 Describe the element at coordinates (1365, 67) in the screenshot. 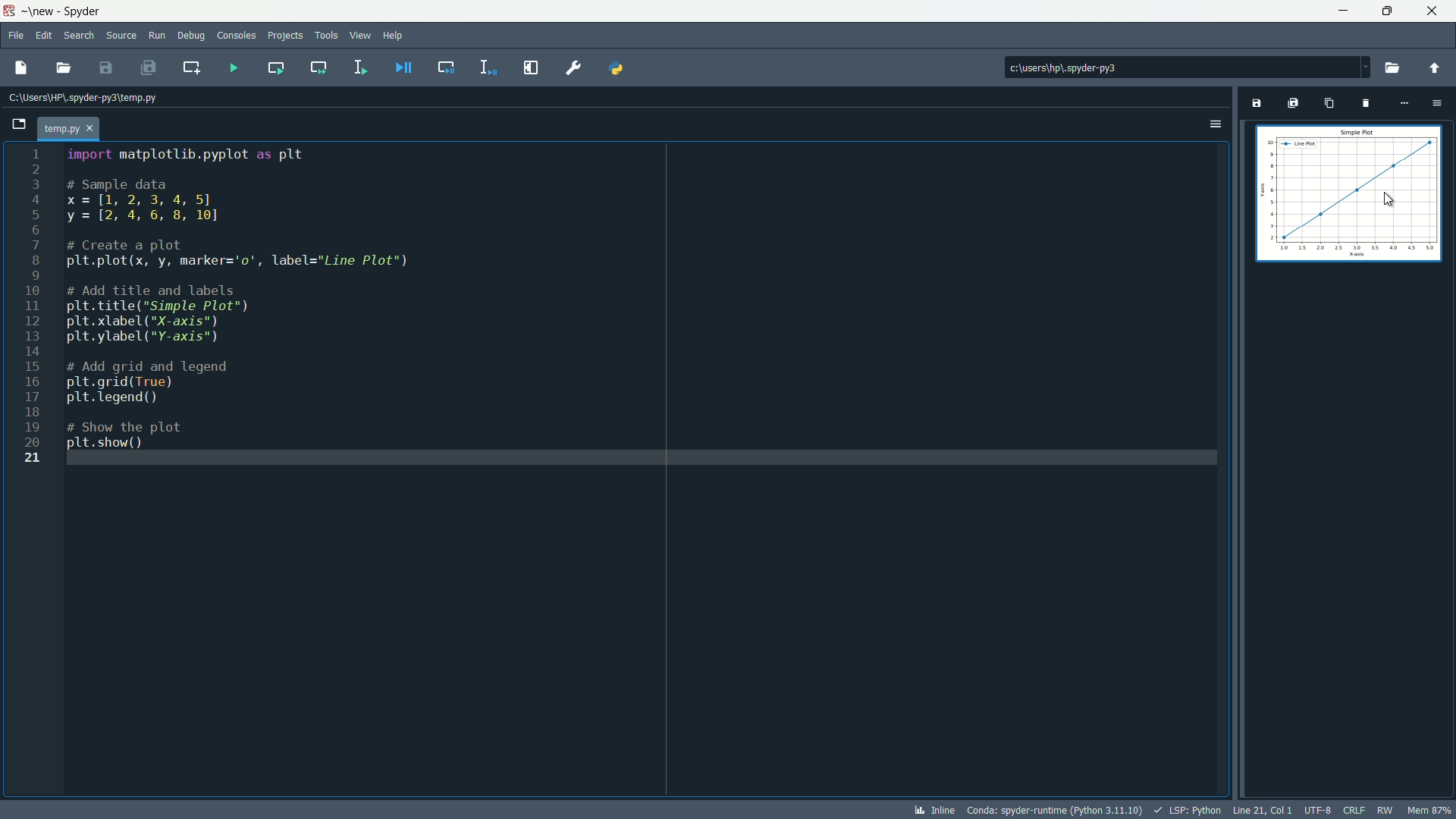

I see `dropdrown` at that location.